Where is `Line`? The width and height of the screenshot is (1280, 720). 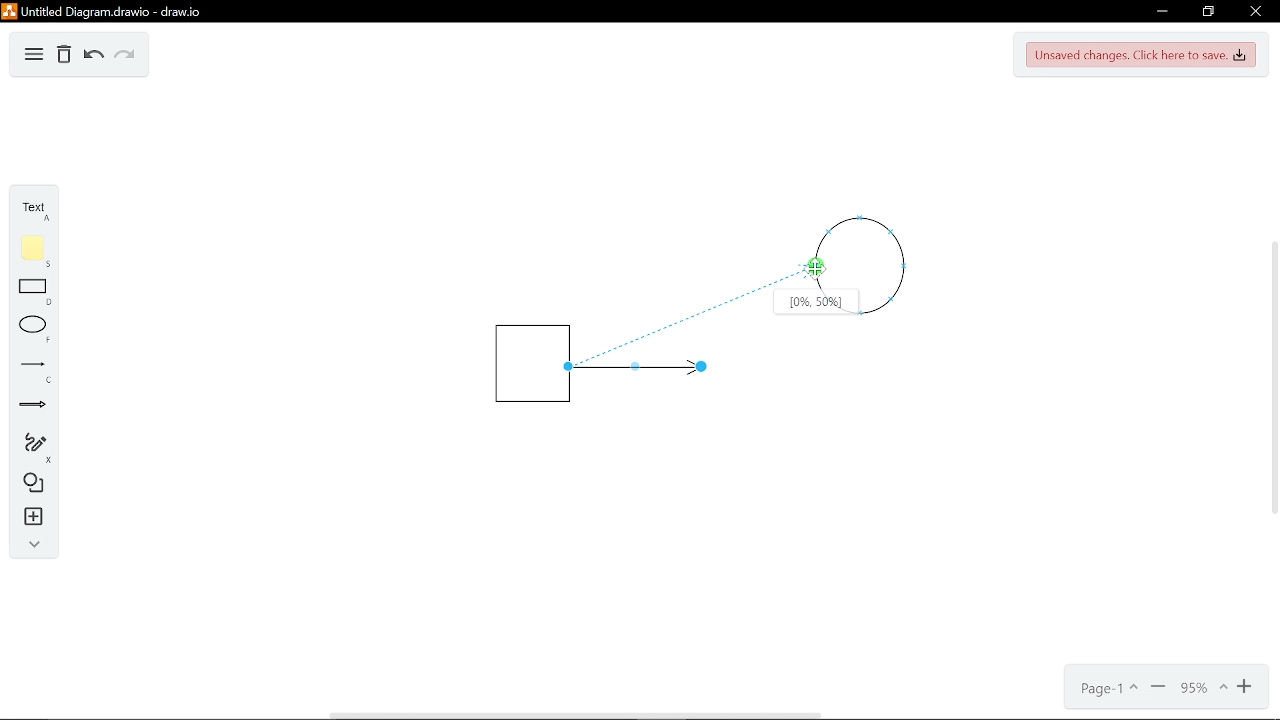 Line is located at coordinates (30, 368).